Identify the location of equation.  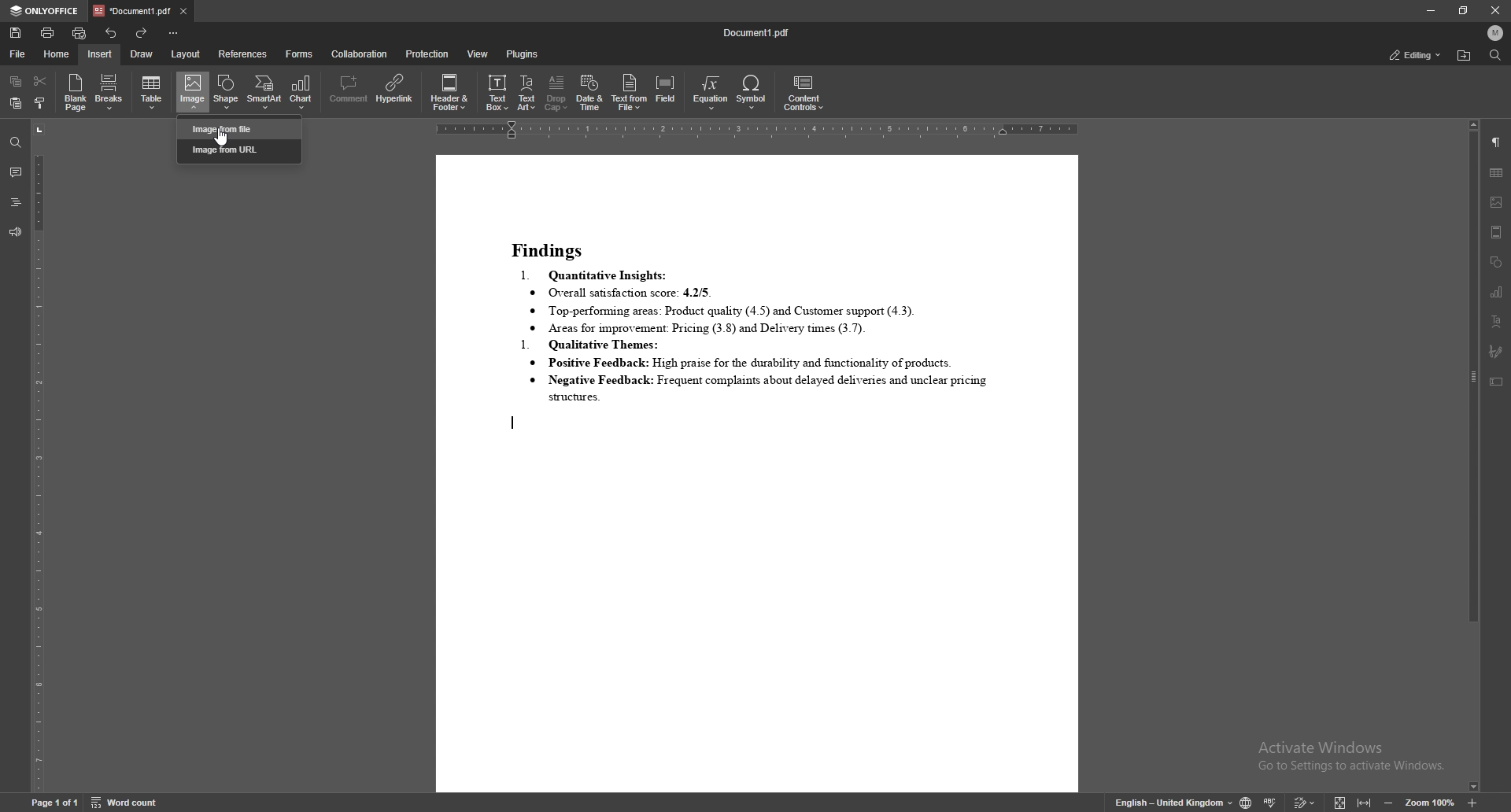
(711, 93).